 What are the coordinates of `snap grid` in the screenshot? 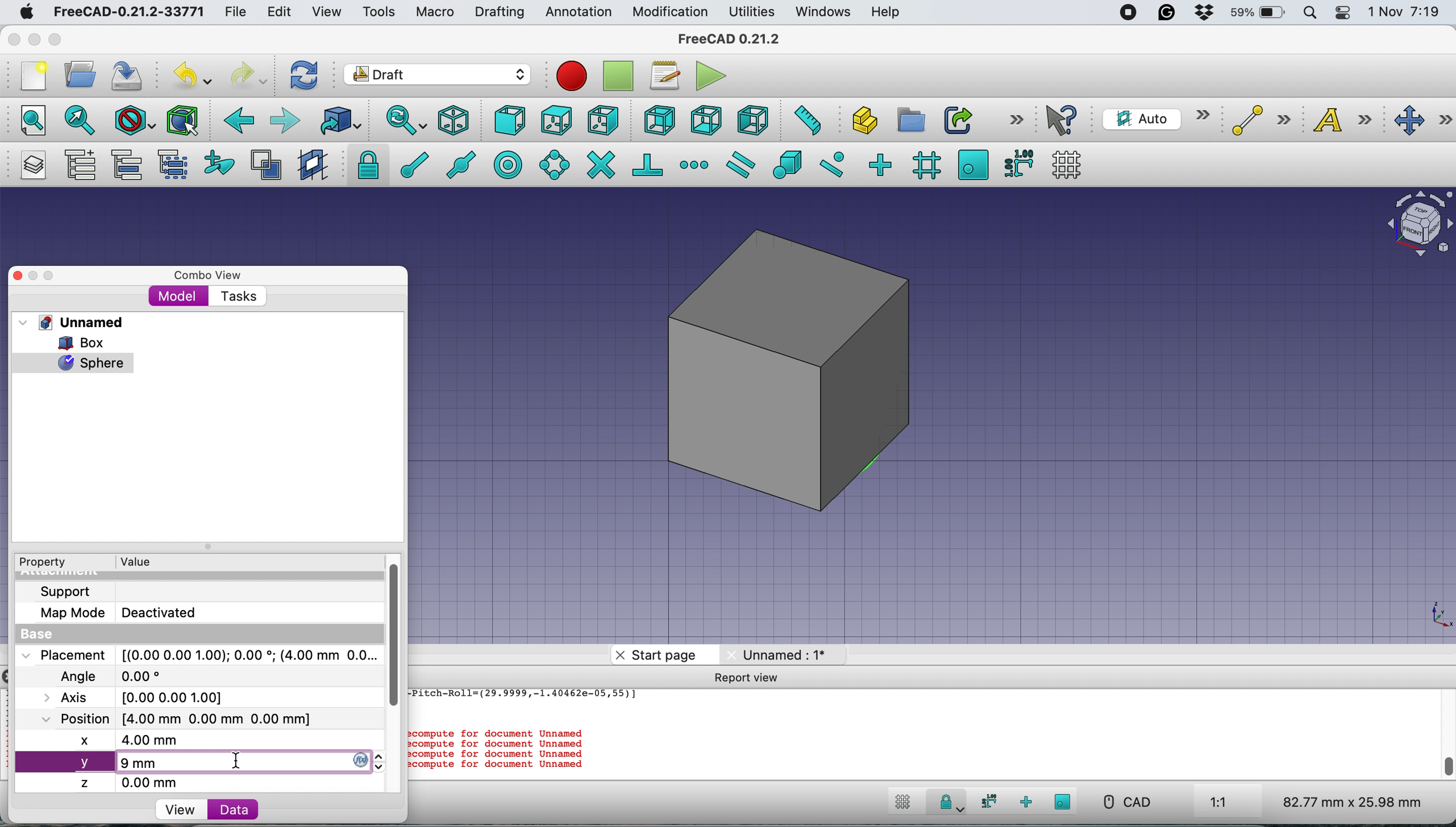 It's located at (925, 165).